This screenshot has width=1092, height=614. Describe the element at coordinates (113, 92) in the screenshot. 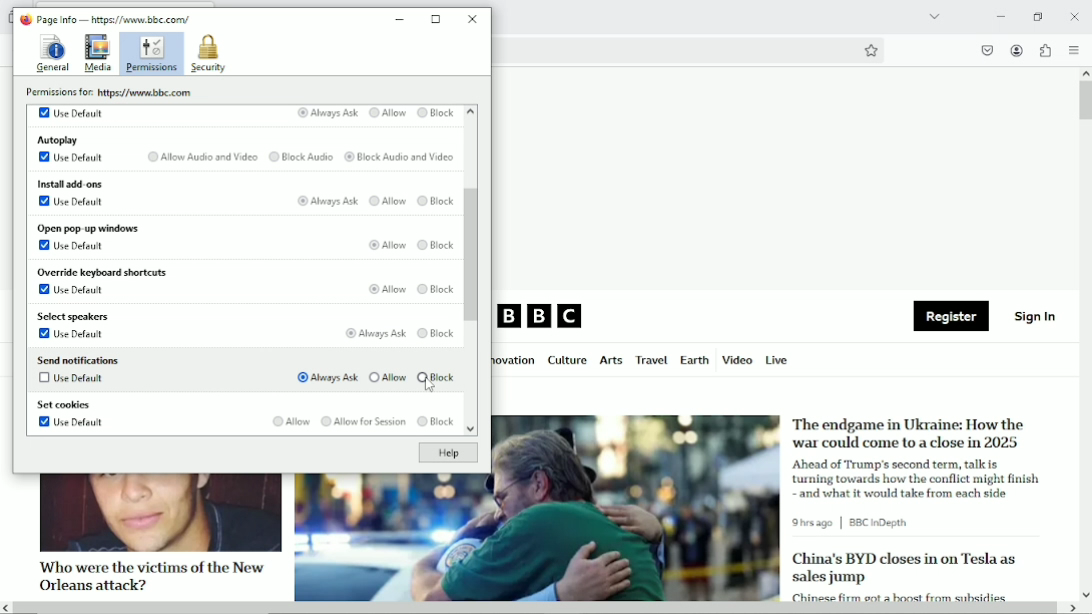

I see `Permissions tor https://www.bbc.com` at that location.